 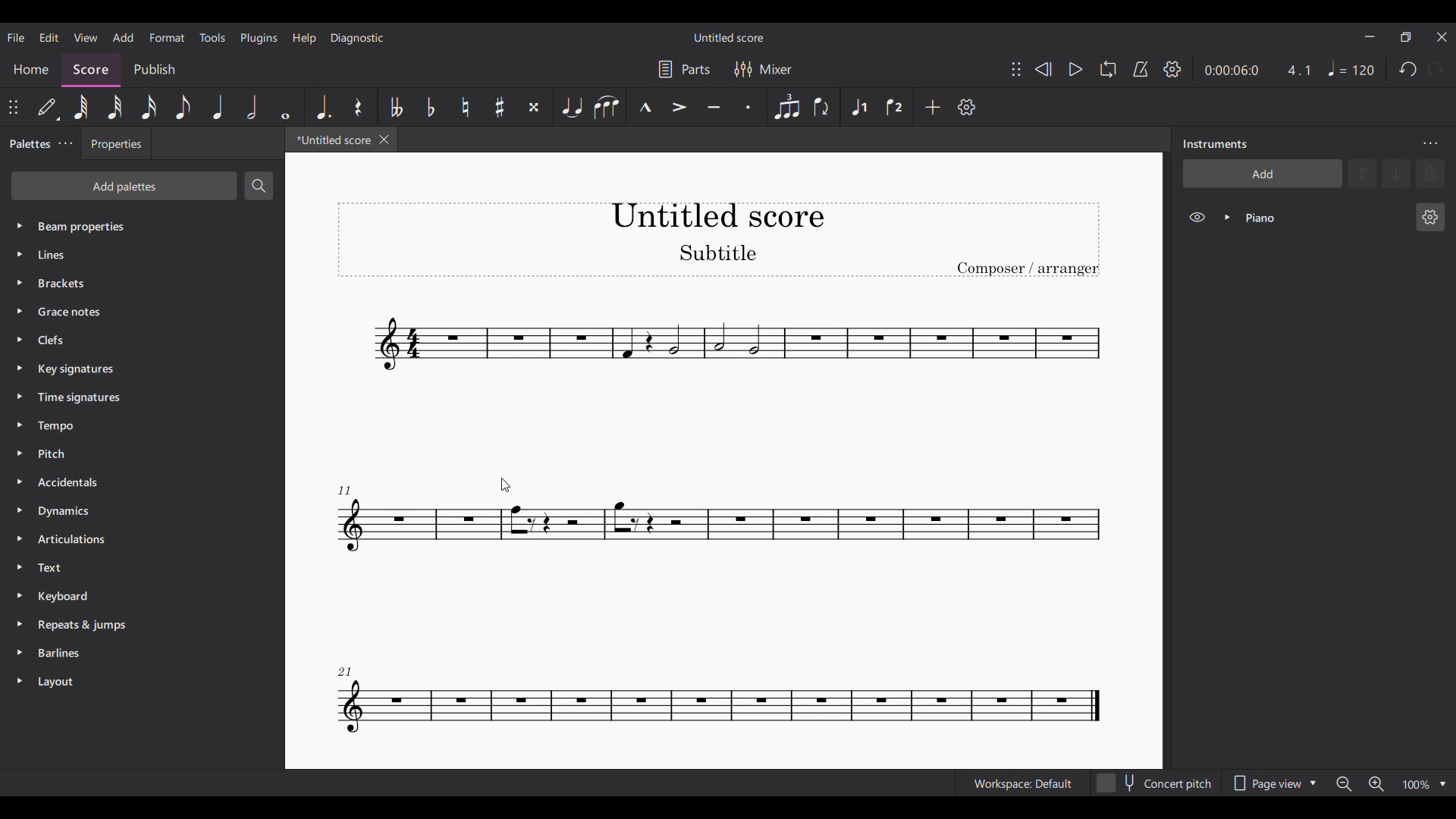 I want to click on Show/Hide, so click(x=1197, y=218).